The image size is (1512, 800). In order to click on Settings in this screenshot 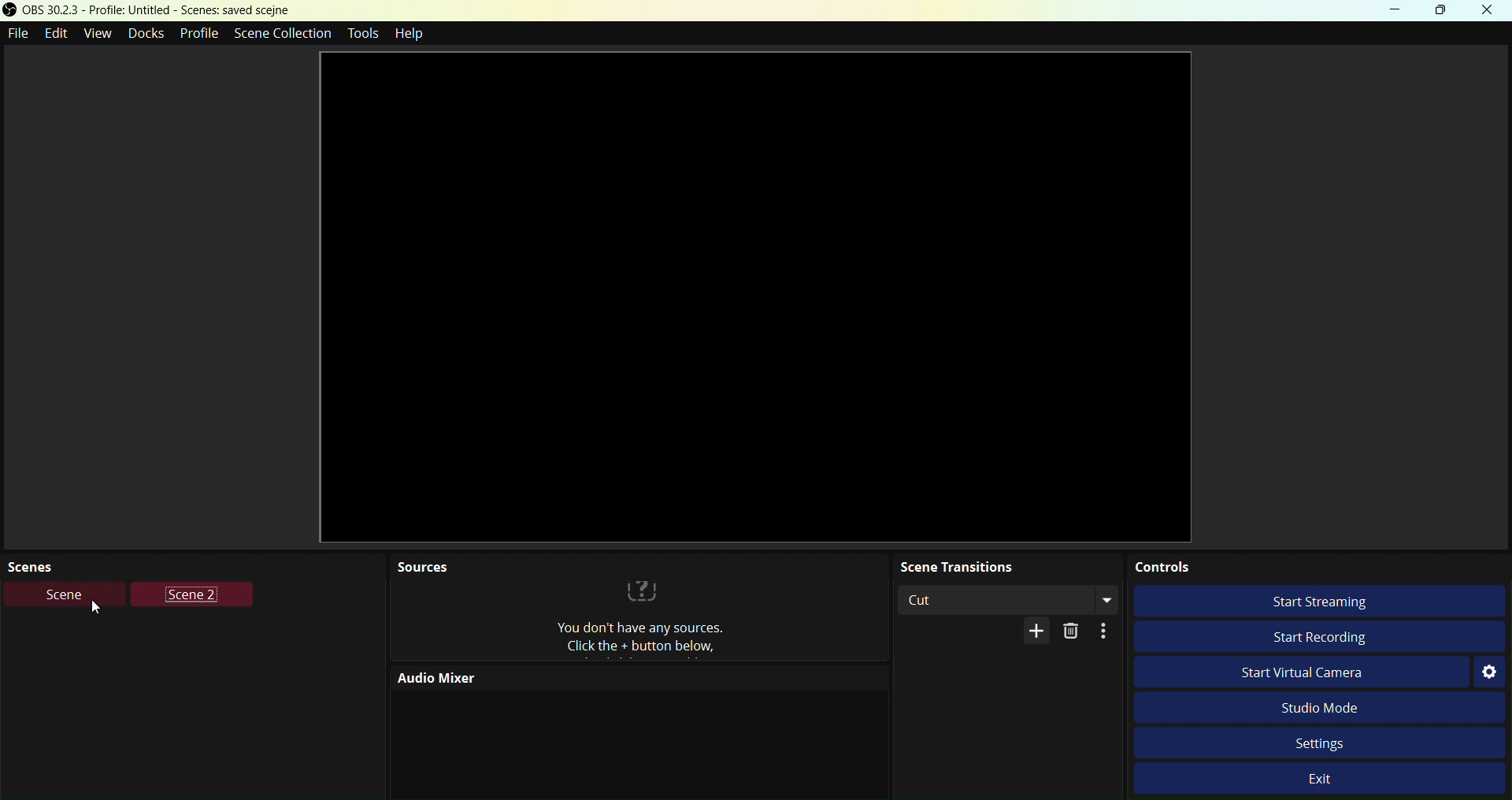, I will do `click(1319, 743)`.